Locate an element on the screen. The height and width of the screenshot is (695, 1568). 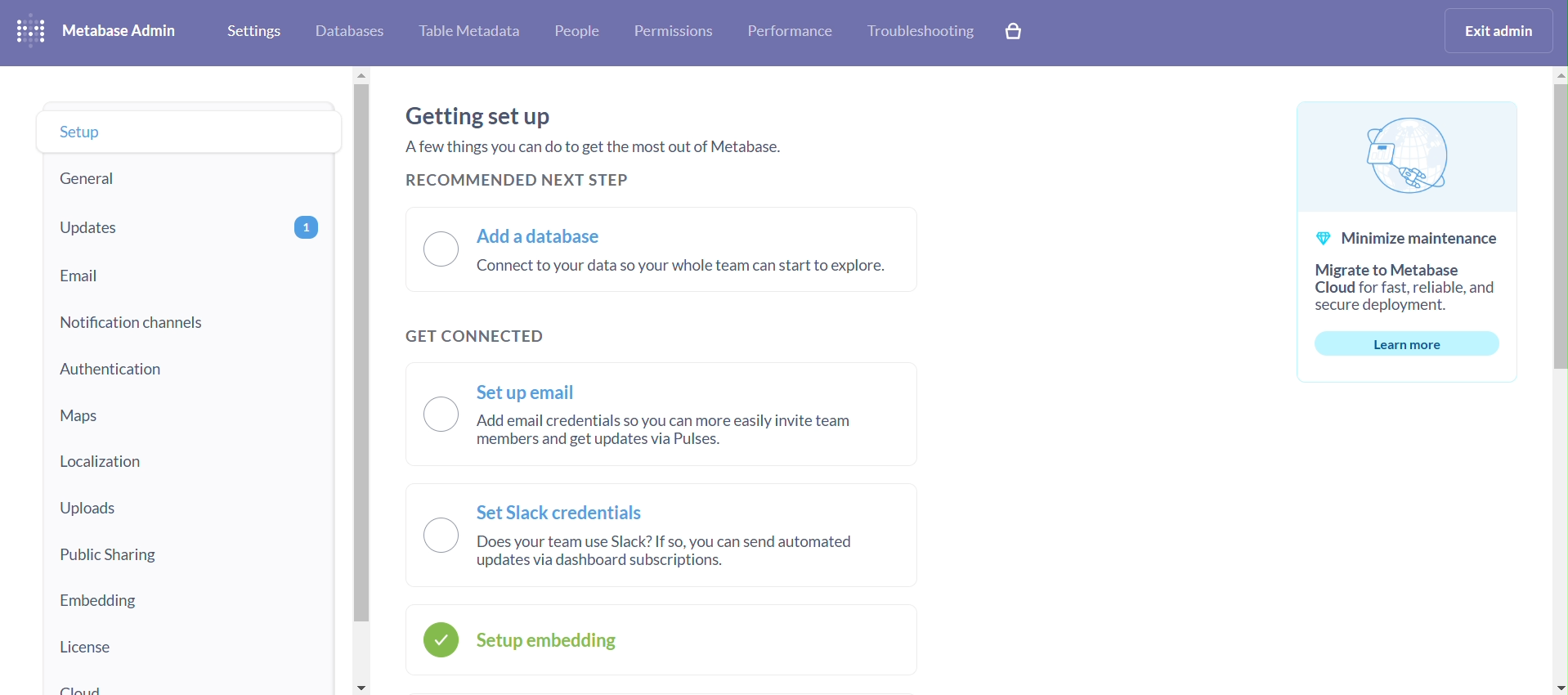
setup is located at coordinates (184, 131).